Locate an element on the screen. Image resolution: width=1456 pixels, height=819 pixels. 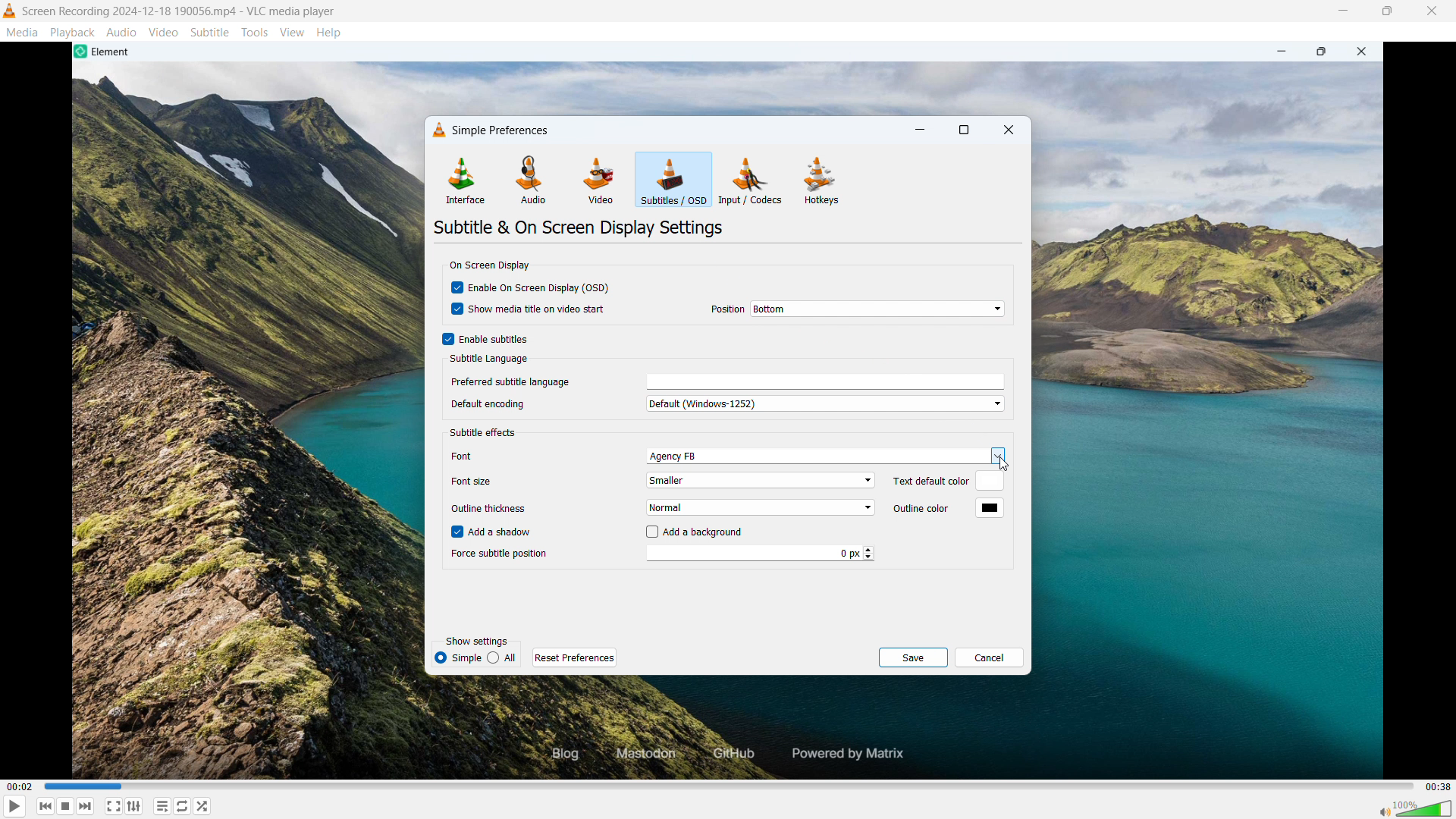
enable on screen display is located at coordinates (531, 287).